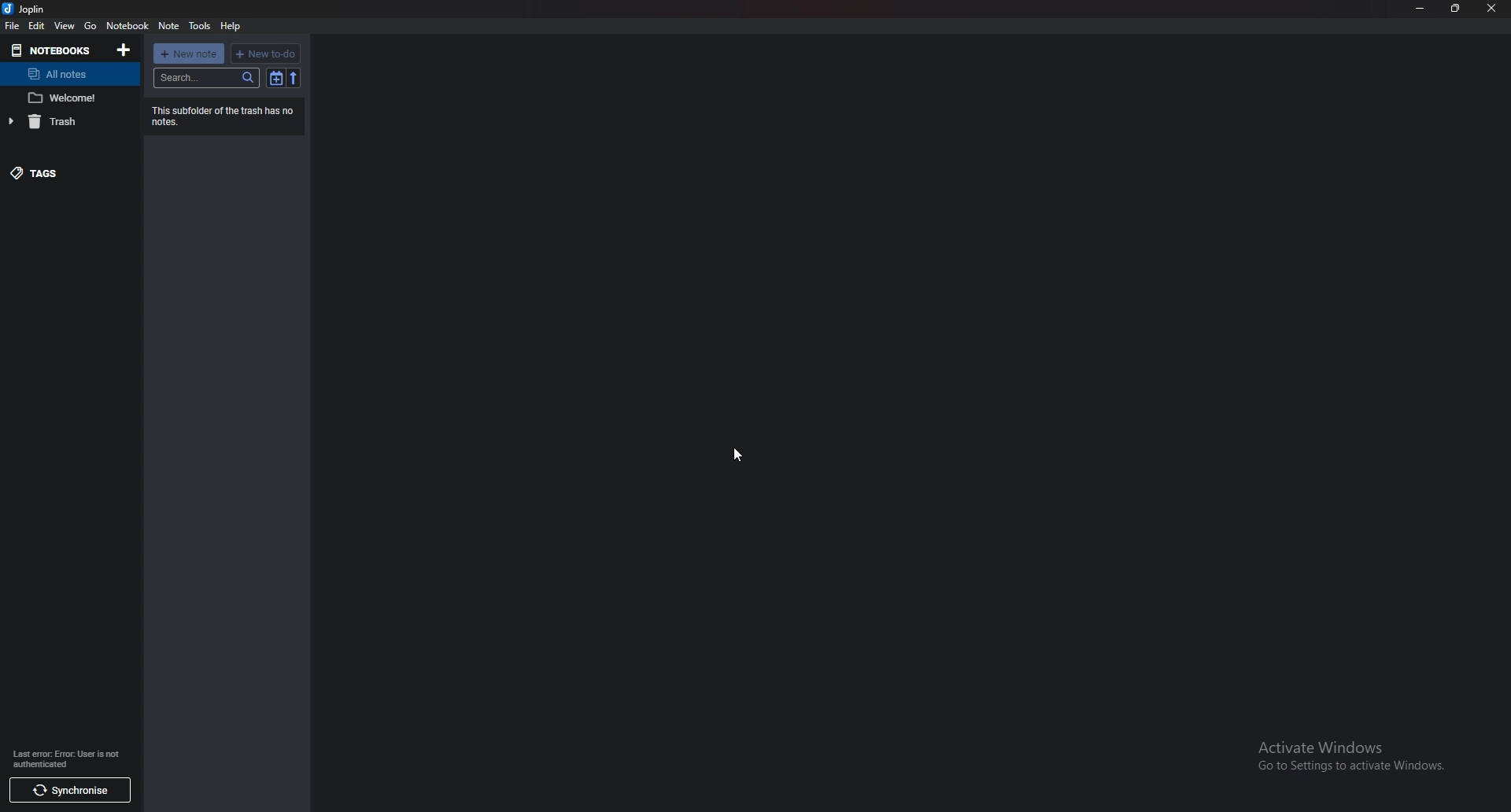 The height and width of the screenshot is (812, 1511). What do you see at coordinates (91, 25) in the screenshot?
I see `go` at bounding box center [91, 25].